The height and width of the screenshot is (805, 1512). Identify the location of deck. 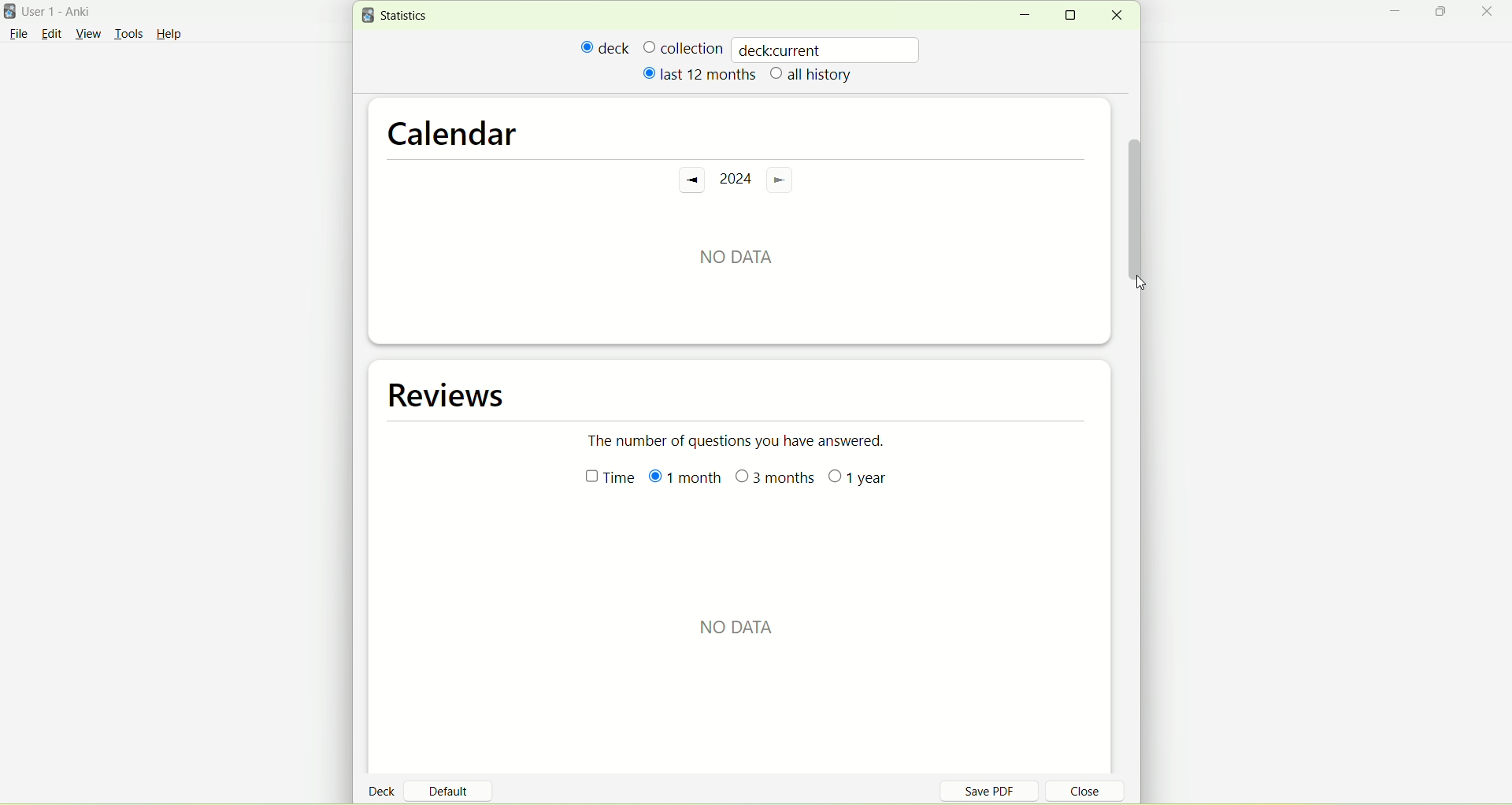
(384, 790).